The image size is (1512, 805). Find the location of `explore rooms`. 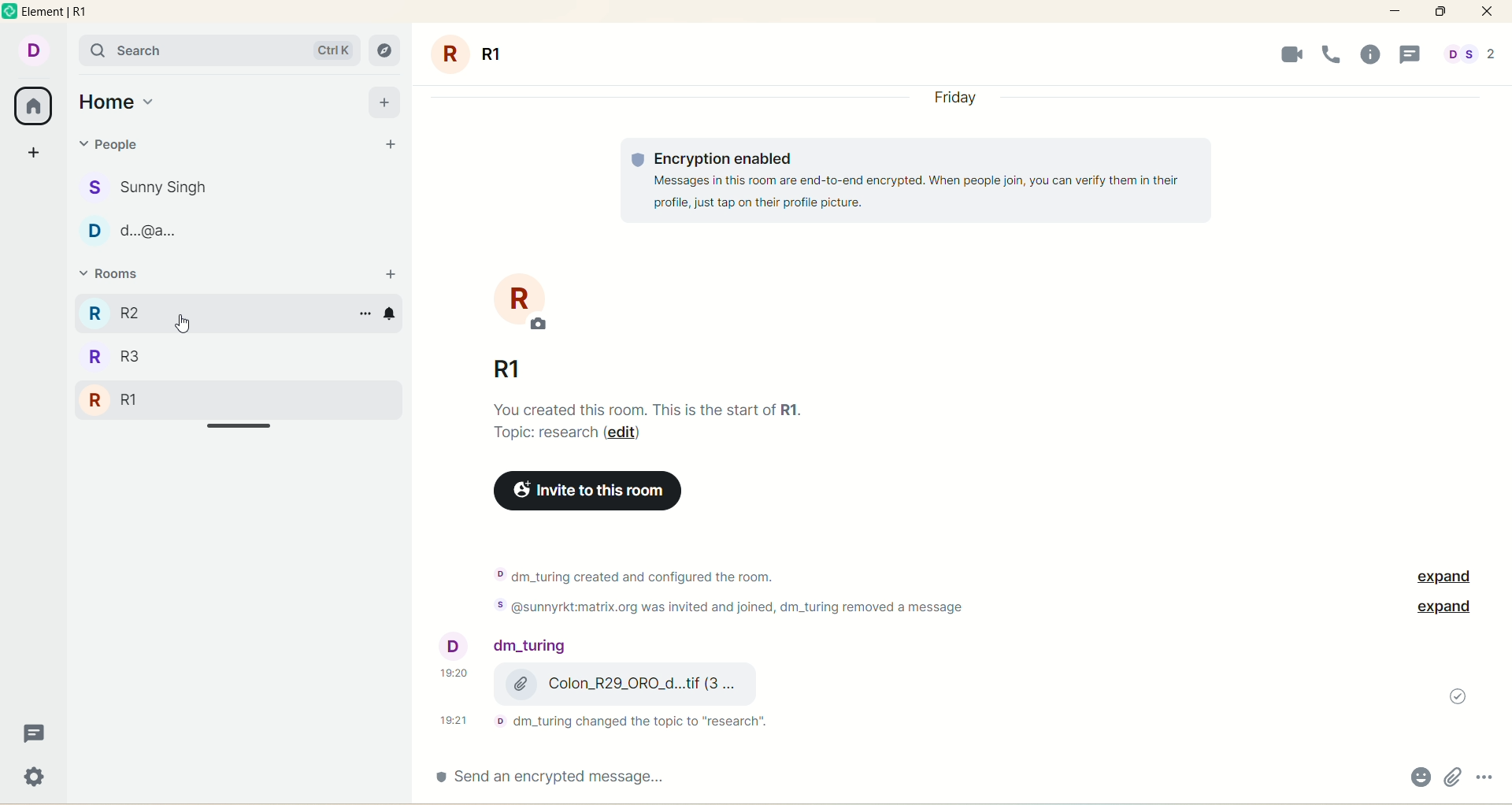

explore rooms is located at coordinates (386, 52).